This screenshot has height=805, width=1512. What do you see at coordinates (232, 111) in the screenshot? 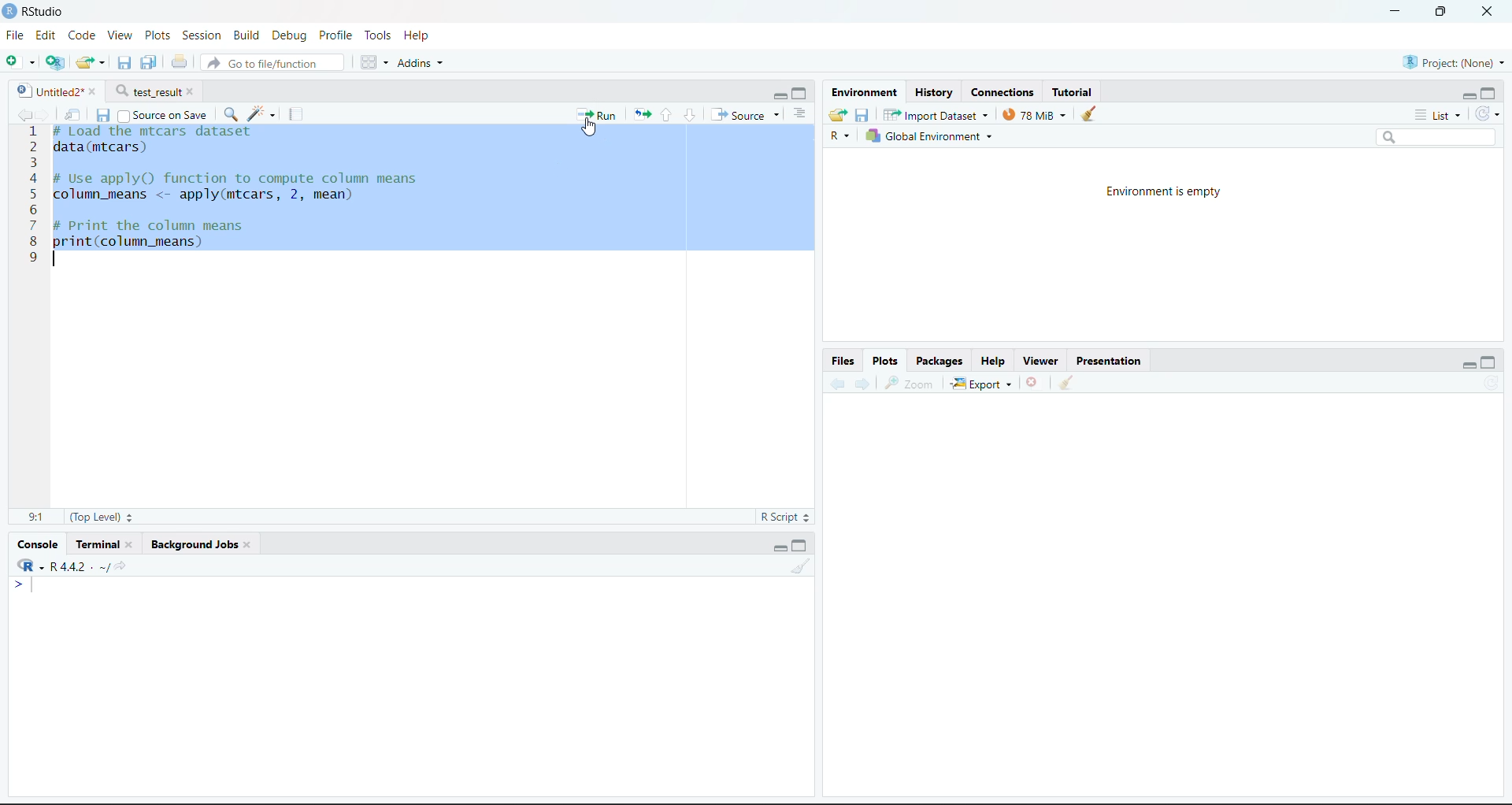
I see `Find/Replace` at bounding box center [232, 111].